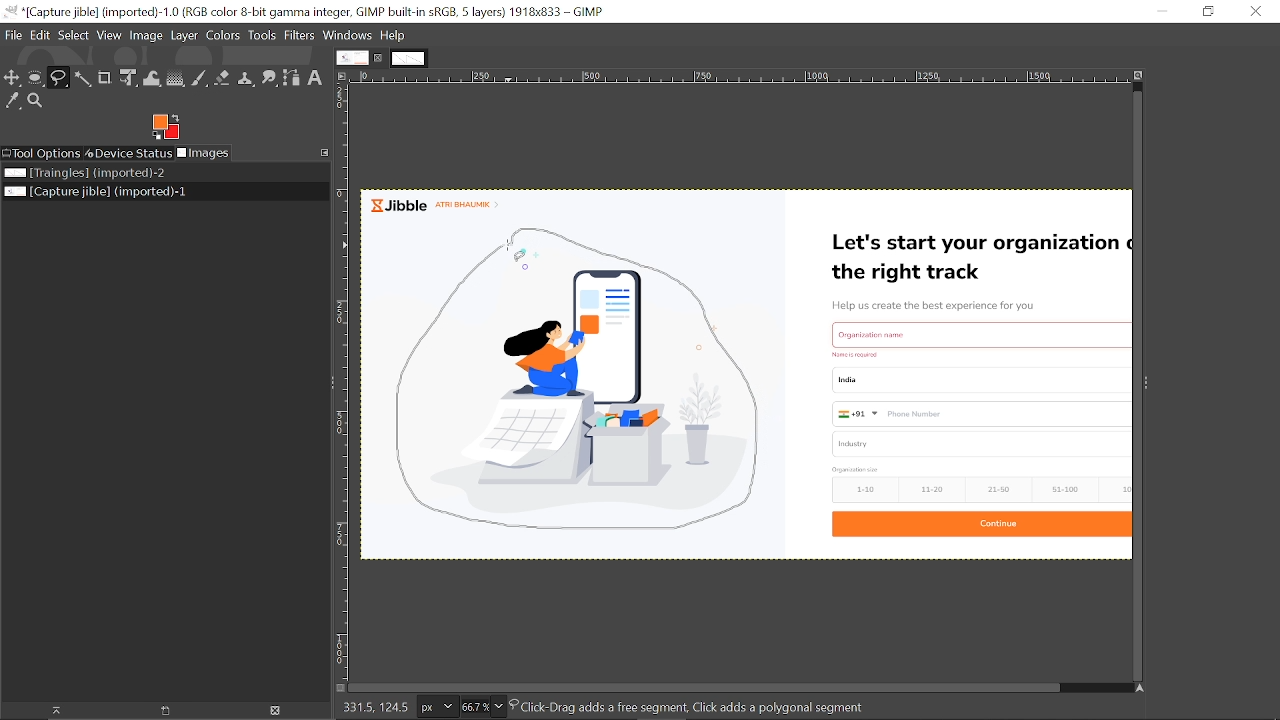  I want to click on Paintbrush tool, so click(200, 78).